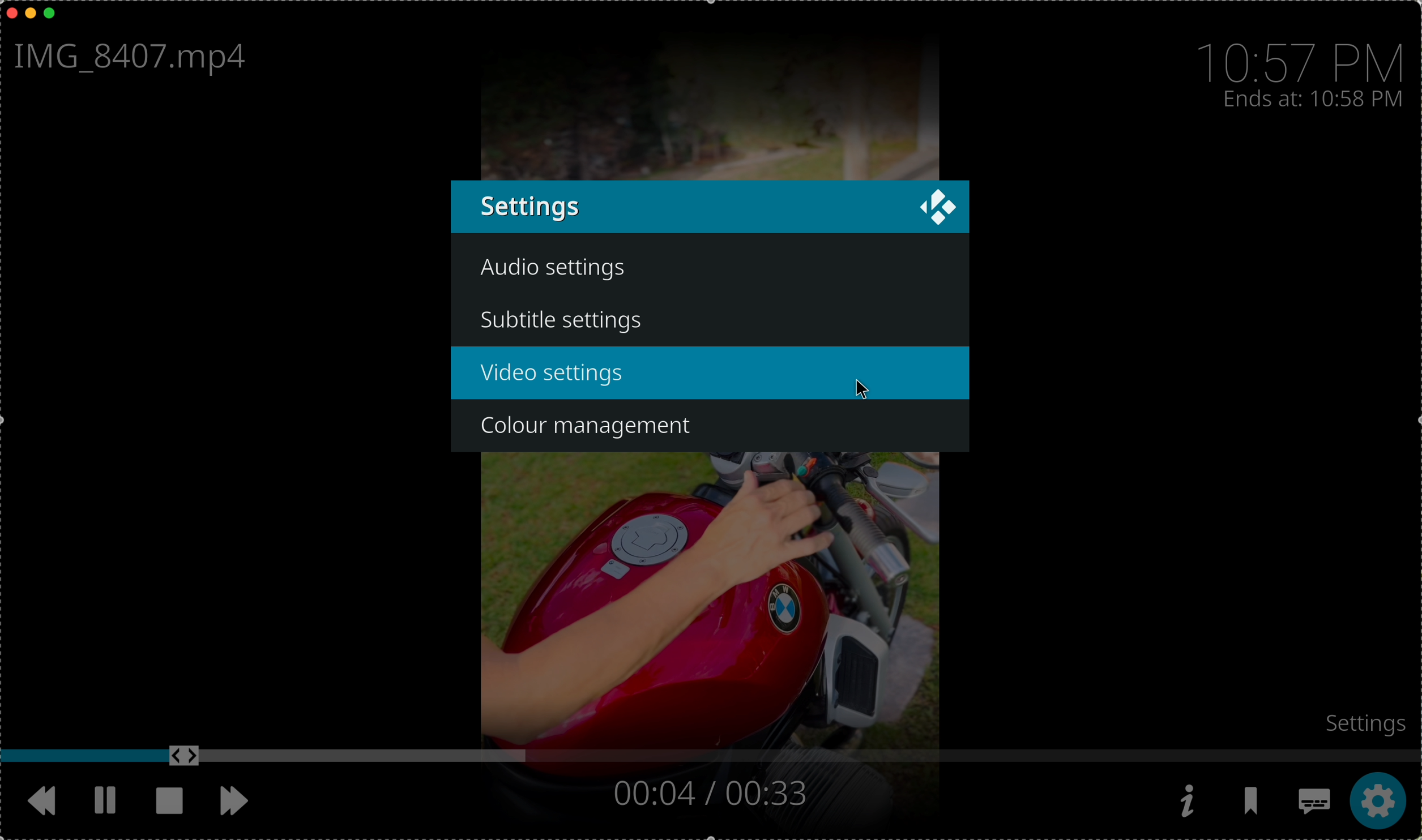 This screenshot has width=1422, height=840. I want to click on stop, so click(174, 802).